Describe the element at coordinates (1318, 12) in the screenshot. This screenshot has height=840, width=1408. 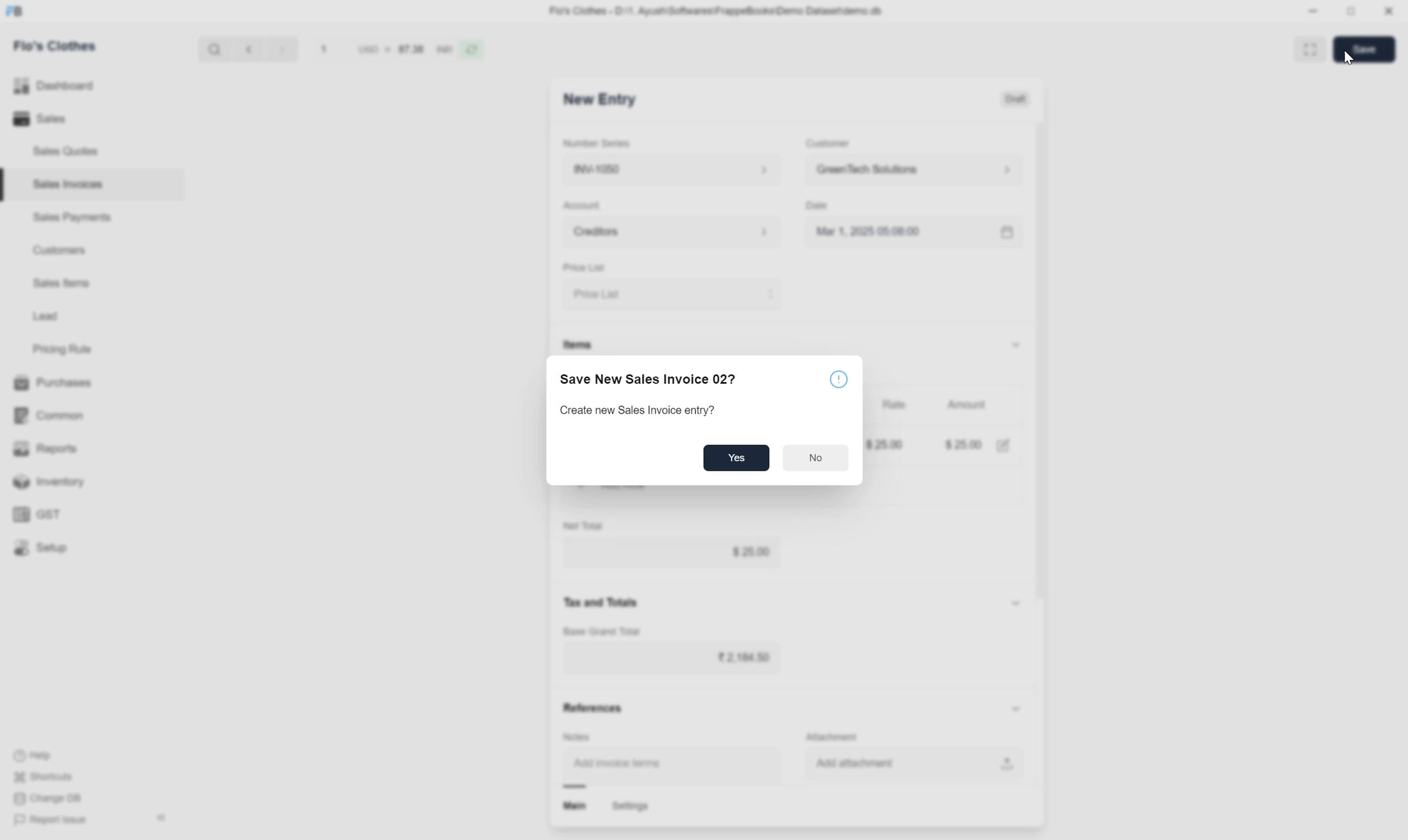
I see `minimize ` at that location.